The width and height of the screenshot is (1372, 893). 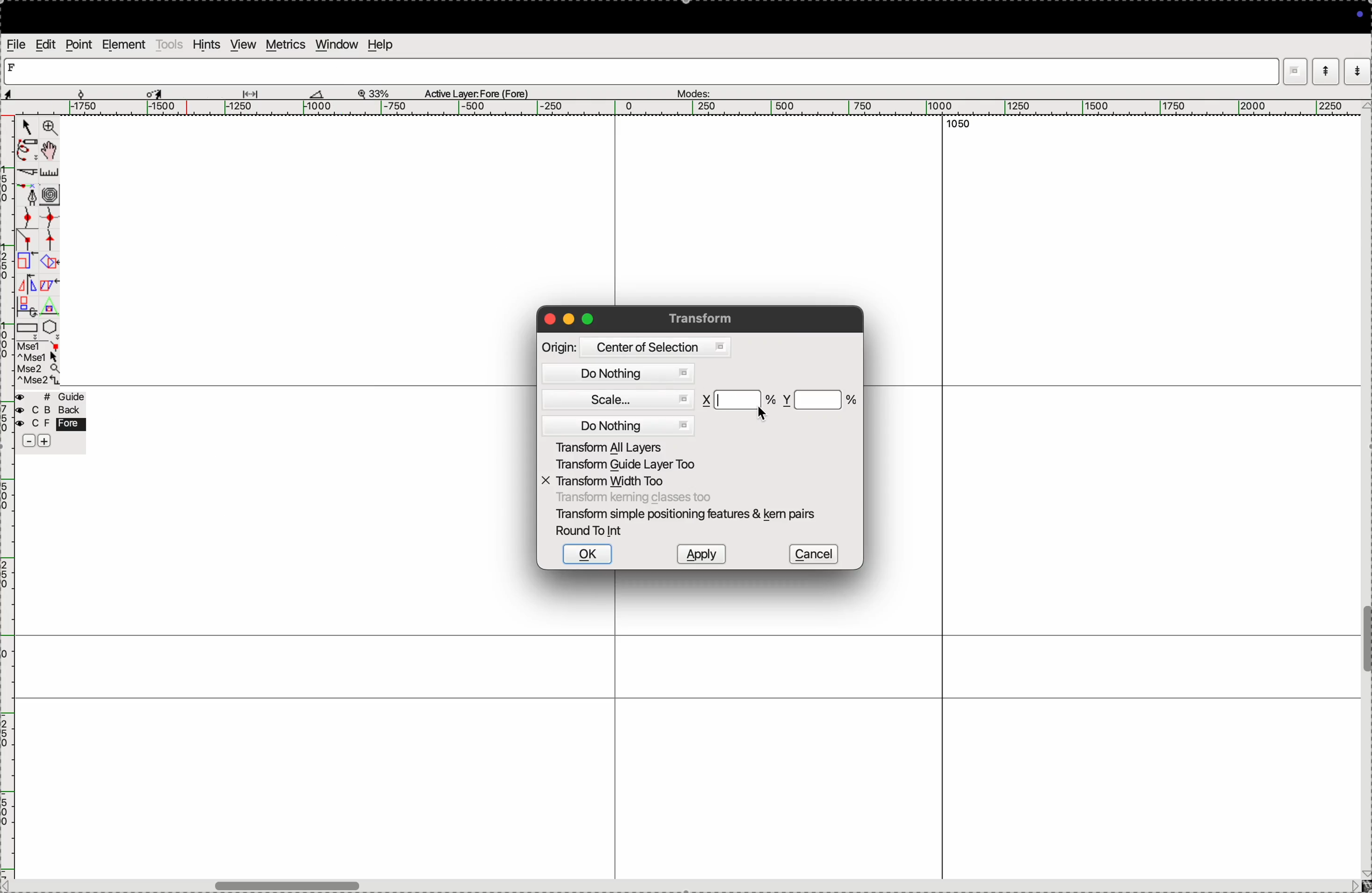 I want to click on duplicate, so click(x=24, y=307).